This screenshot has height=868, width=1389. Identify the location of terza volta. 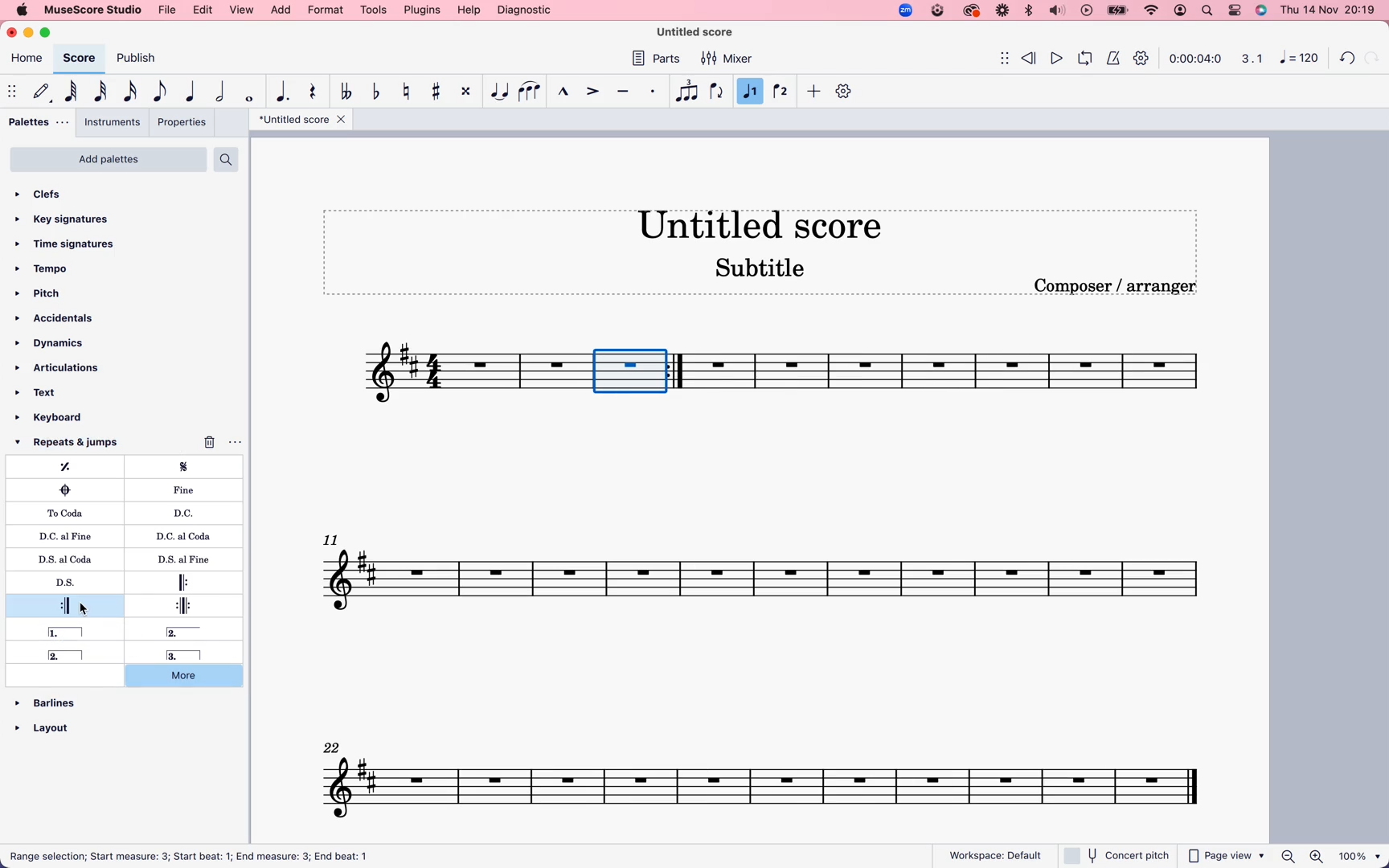
(179, 655).